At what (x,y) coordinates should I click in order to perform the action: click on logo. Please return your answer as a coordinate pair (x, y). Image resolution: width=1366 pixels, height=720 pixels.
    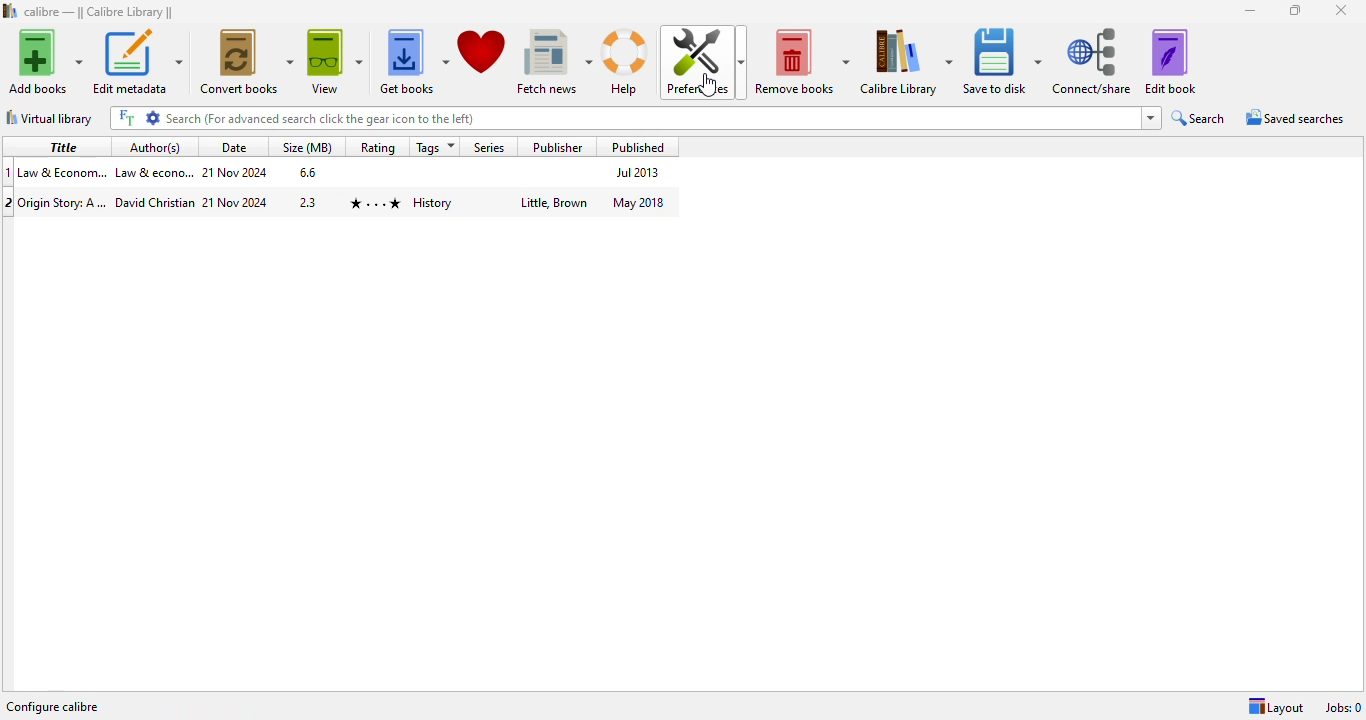
    Looking at the image, I should click on (11, 10).